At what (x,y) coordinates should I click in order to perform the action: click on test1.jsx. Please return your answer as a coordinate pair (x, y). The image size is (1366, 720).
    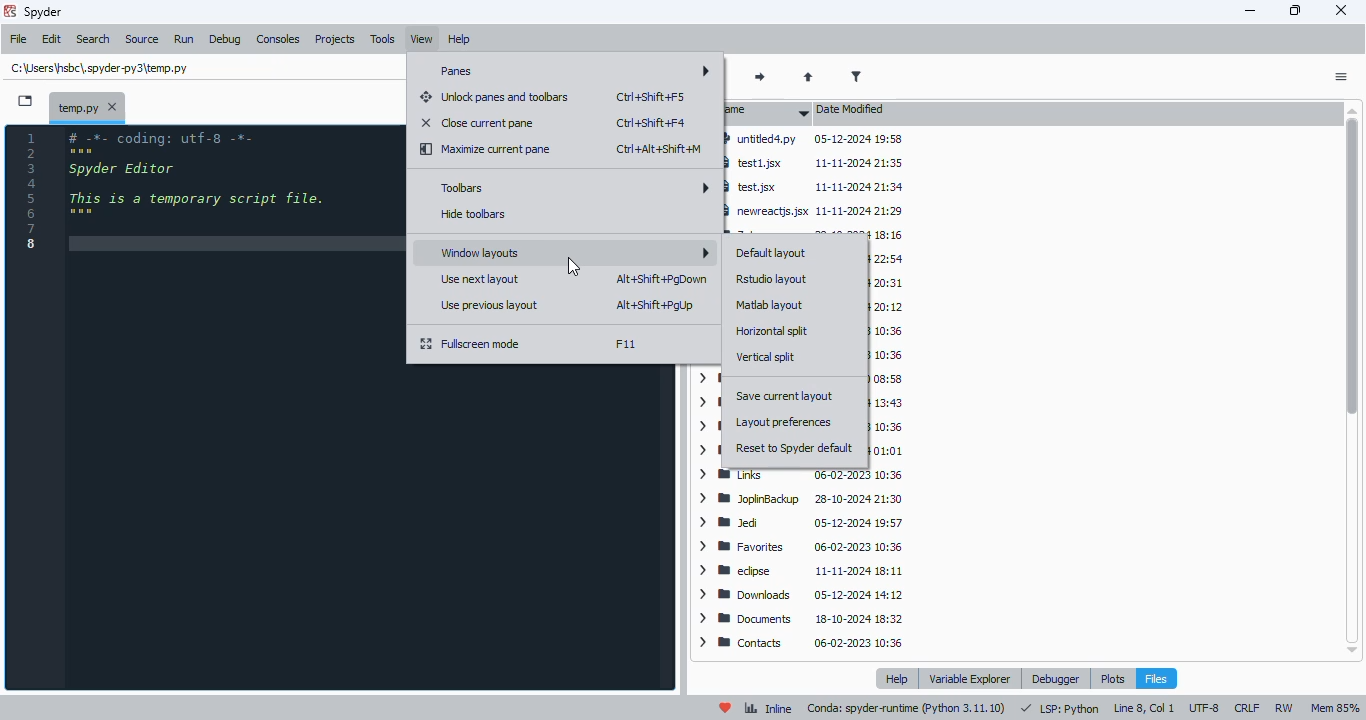
    Looking at the image, I should click on (818, 163).